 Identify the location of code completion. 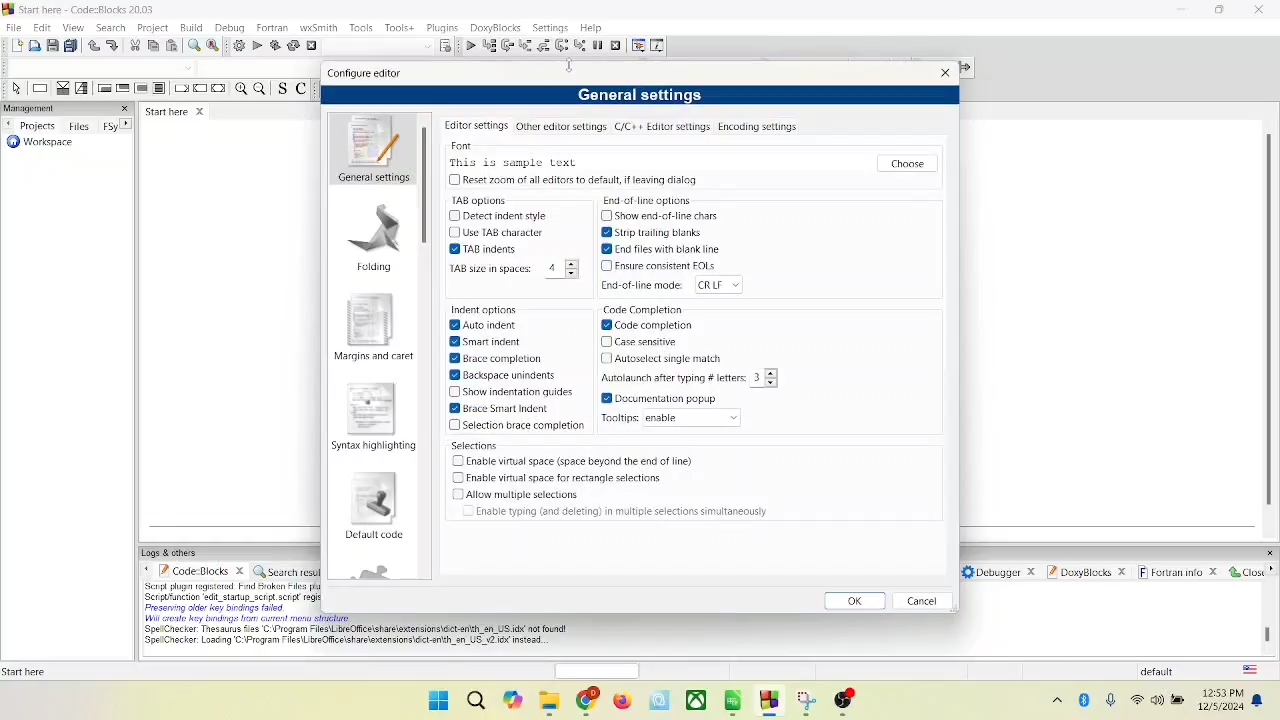
(648, 325).